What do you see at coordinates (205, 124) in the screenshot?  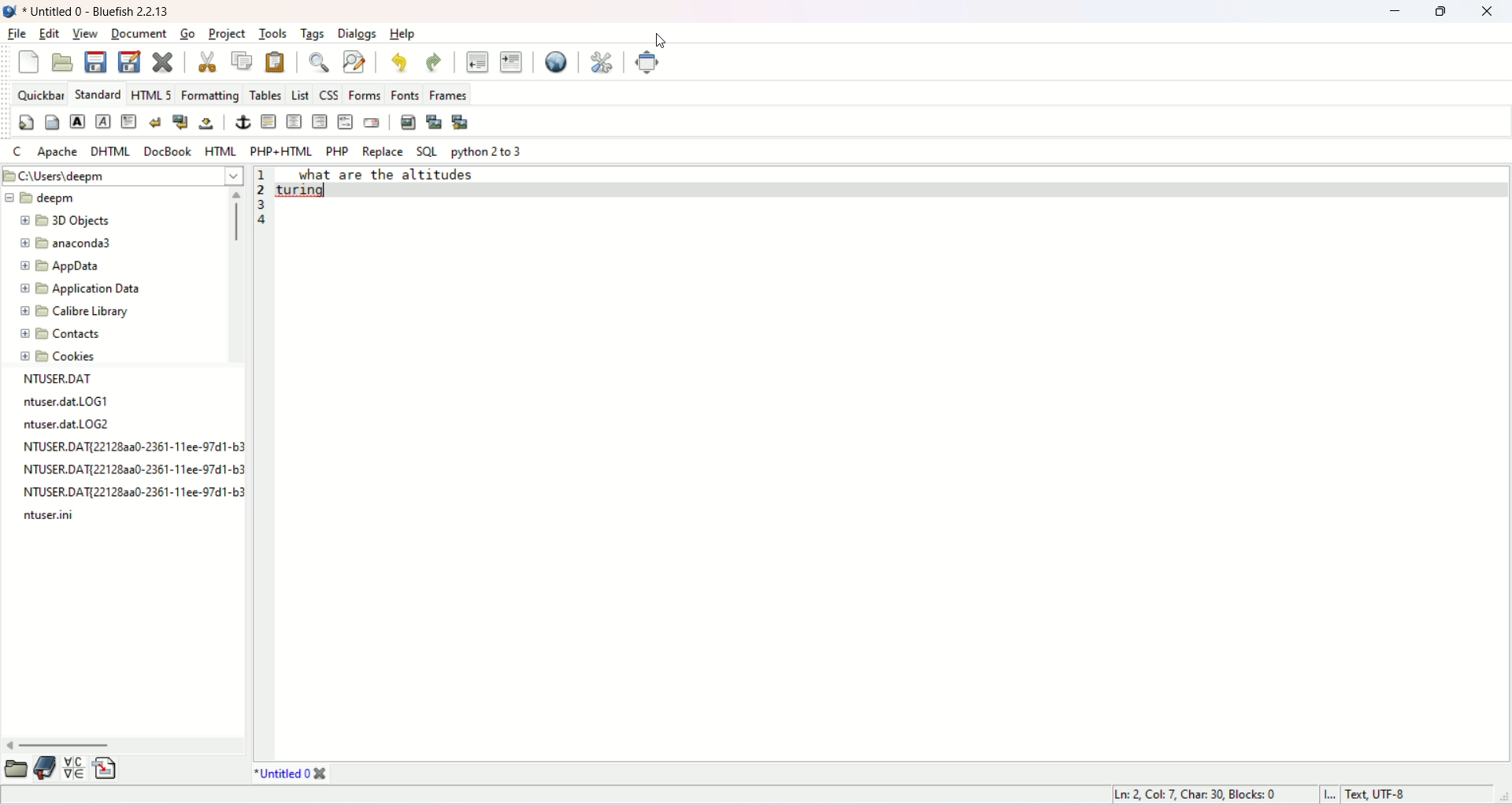 I see `non-breaking space` at bounding box center [205, 124].